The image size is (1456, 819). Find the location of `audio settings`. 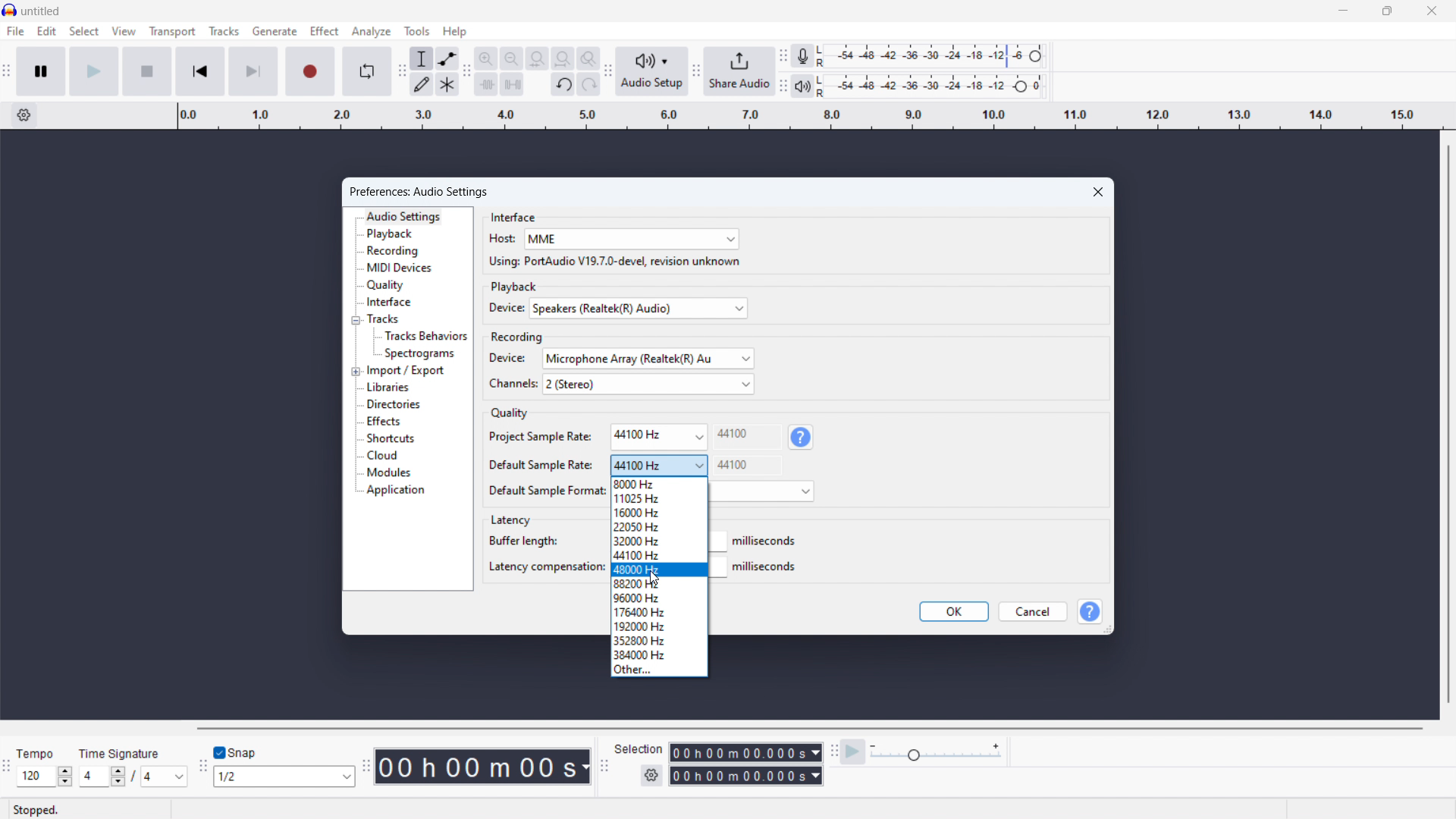

audio settings is located at coordinates (403, 217).